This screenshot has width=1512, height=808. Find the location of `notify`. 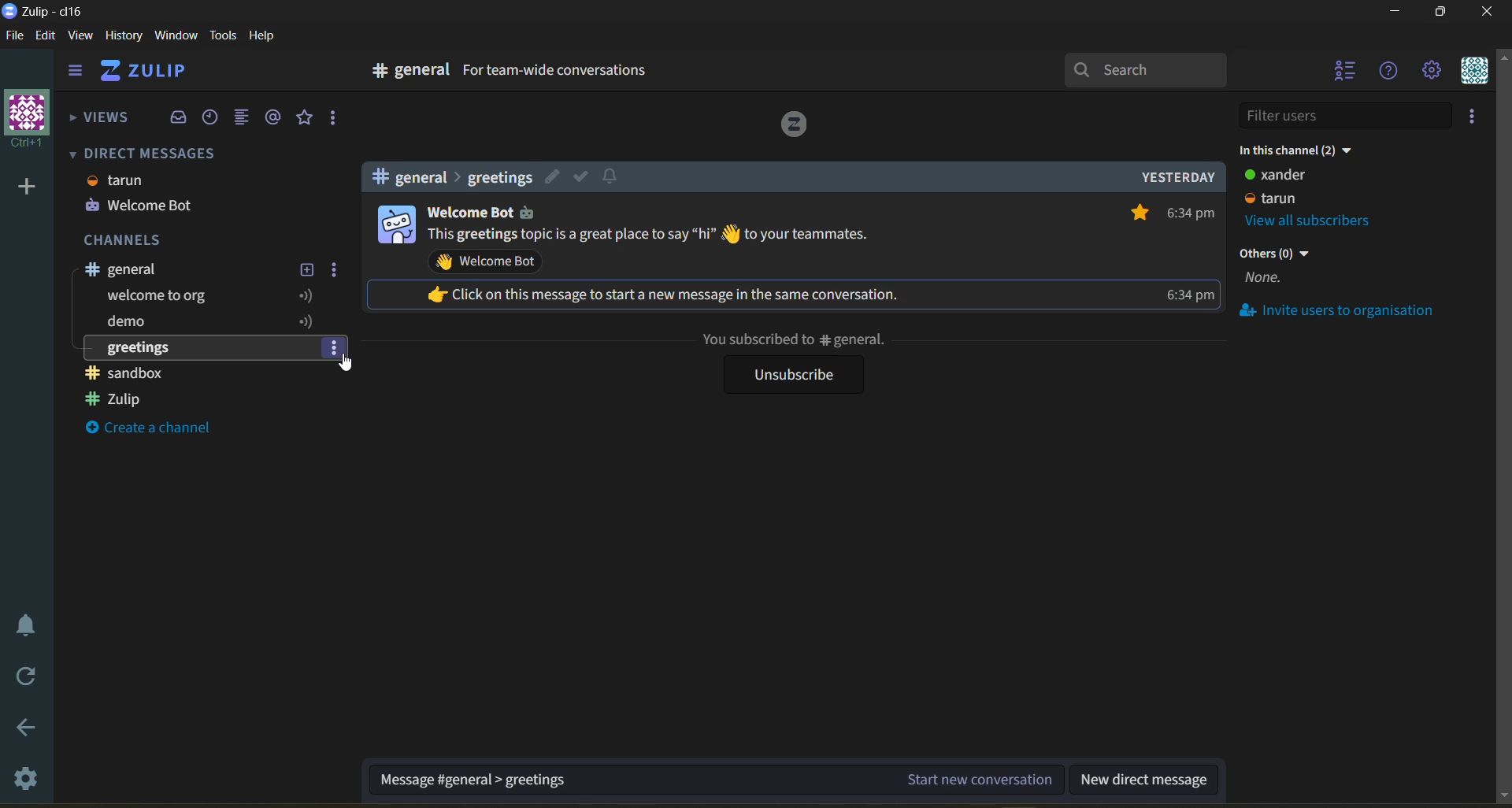

notify is located at coordinates (612, 178).